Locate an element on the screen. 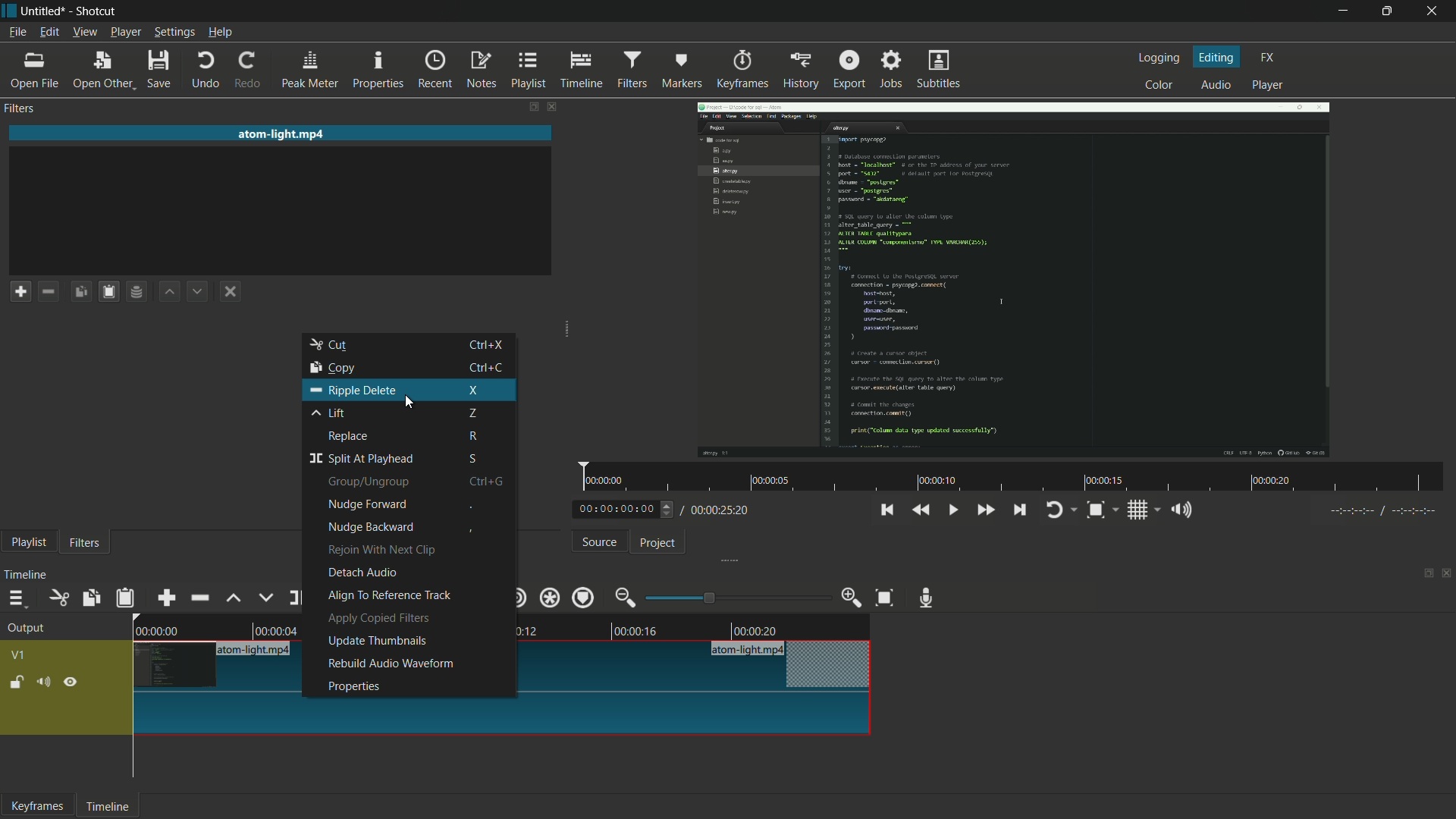 The height and width of the screenshot is (819, 1456). imported video file is located at coordinates (1015, 278).